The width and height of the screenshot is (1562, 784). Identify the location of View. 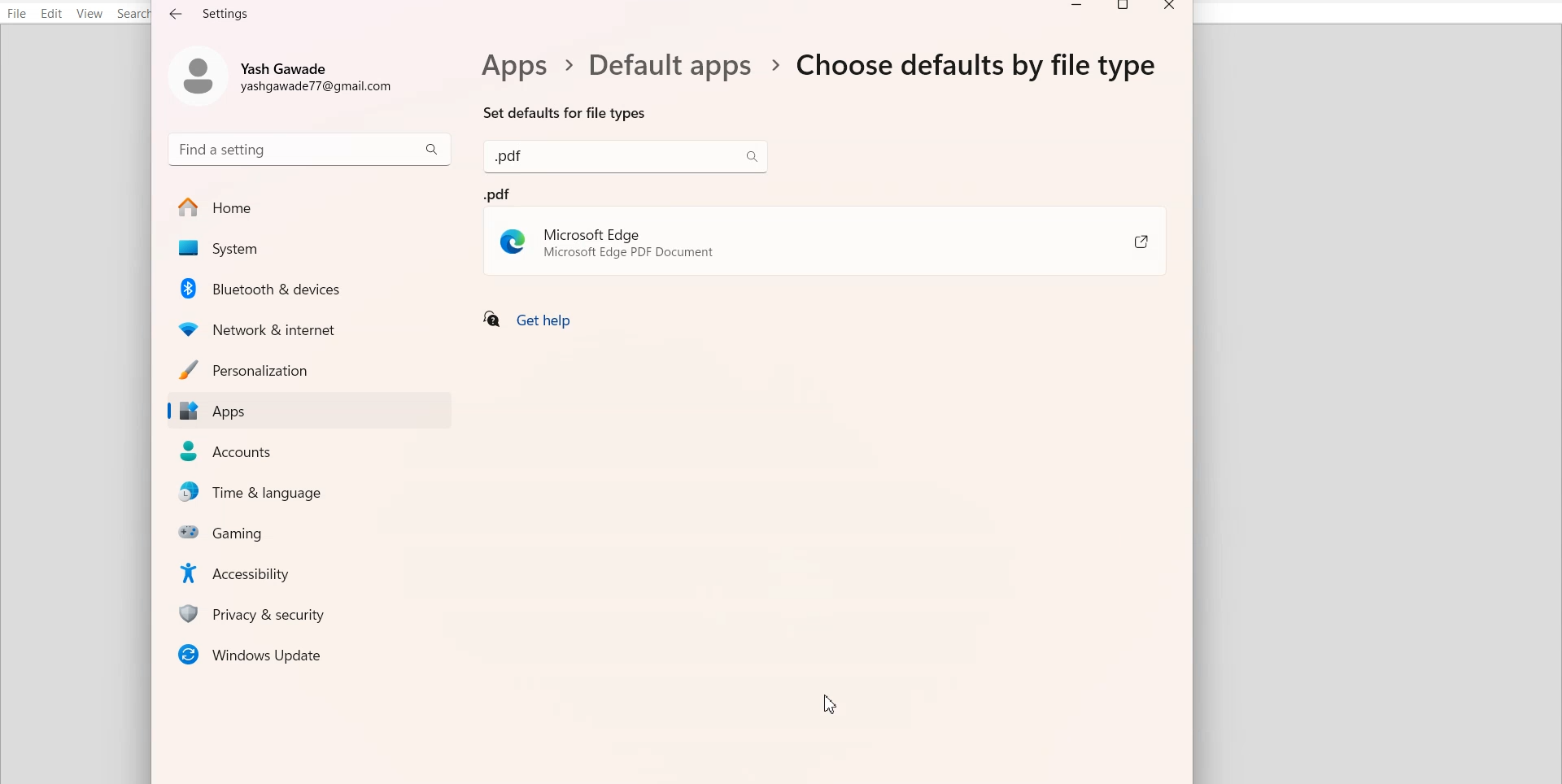
(89, 14).